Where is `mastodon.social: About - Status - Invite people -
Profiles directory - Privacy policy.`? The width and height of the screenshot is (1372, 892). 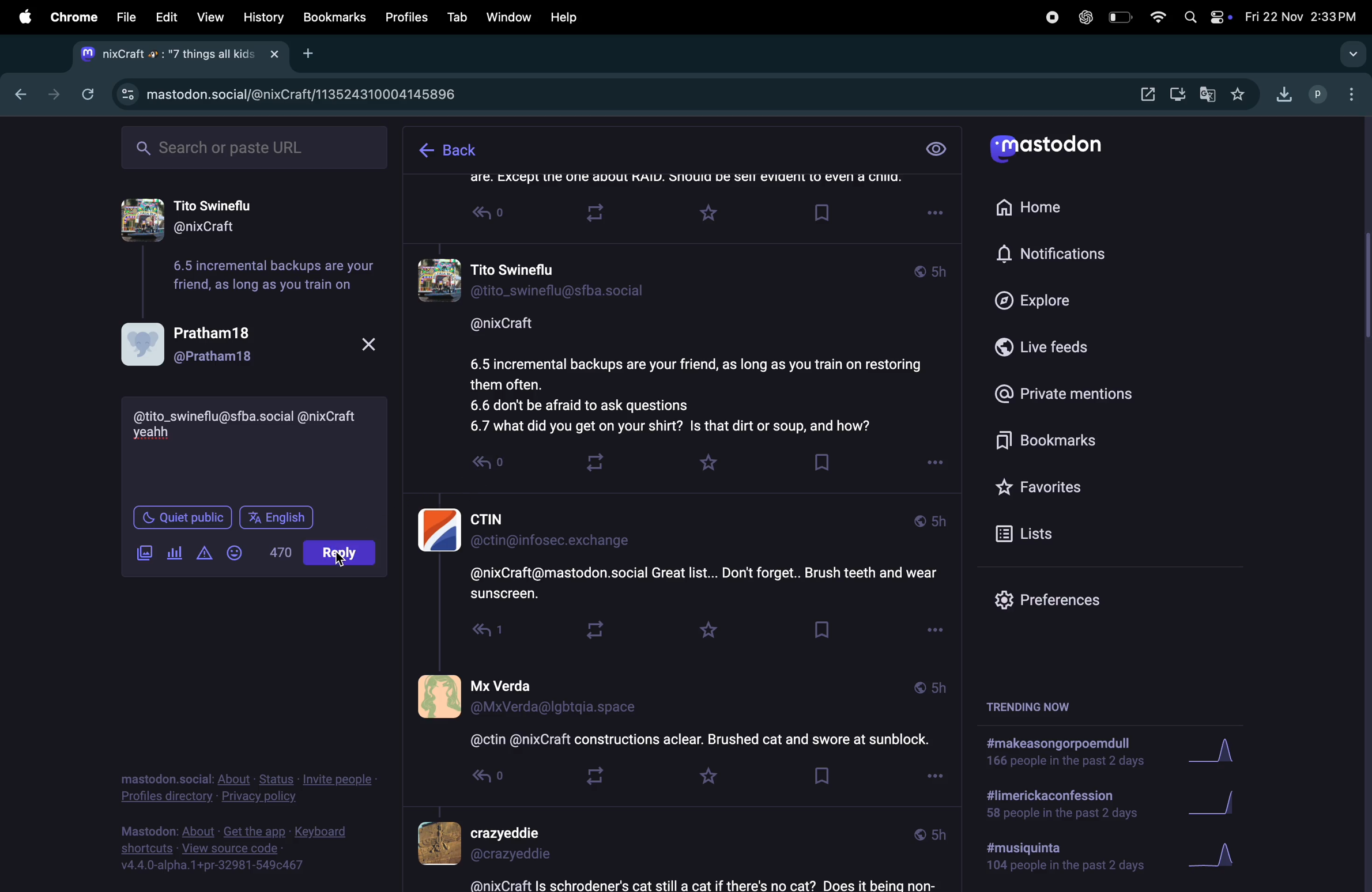
mastodon.social: About - Status - Invite people -
Profiles directory - Privacy policy. is located at coordinates (247, 779).